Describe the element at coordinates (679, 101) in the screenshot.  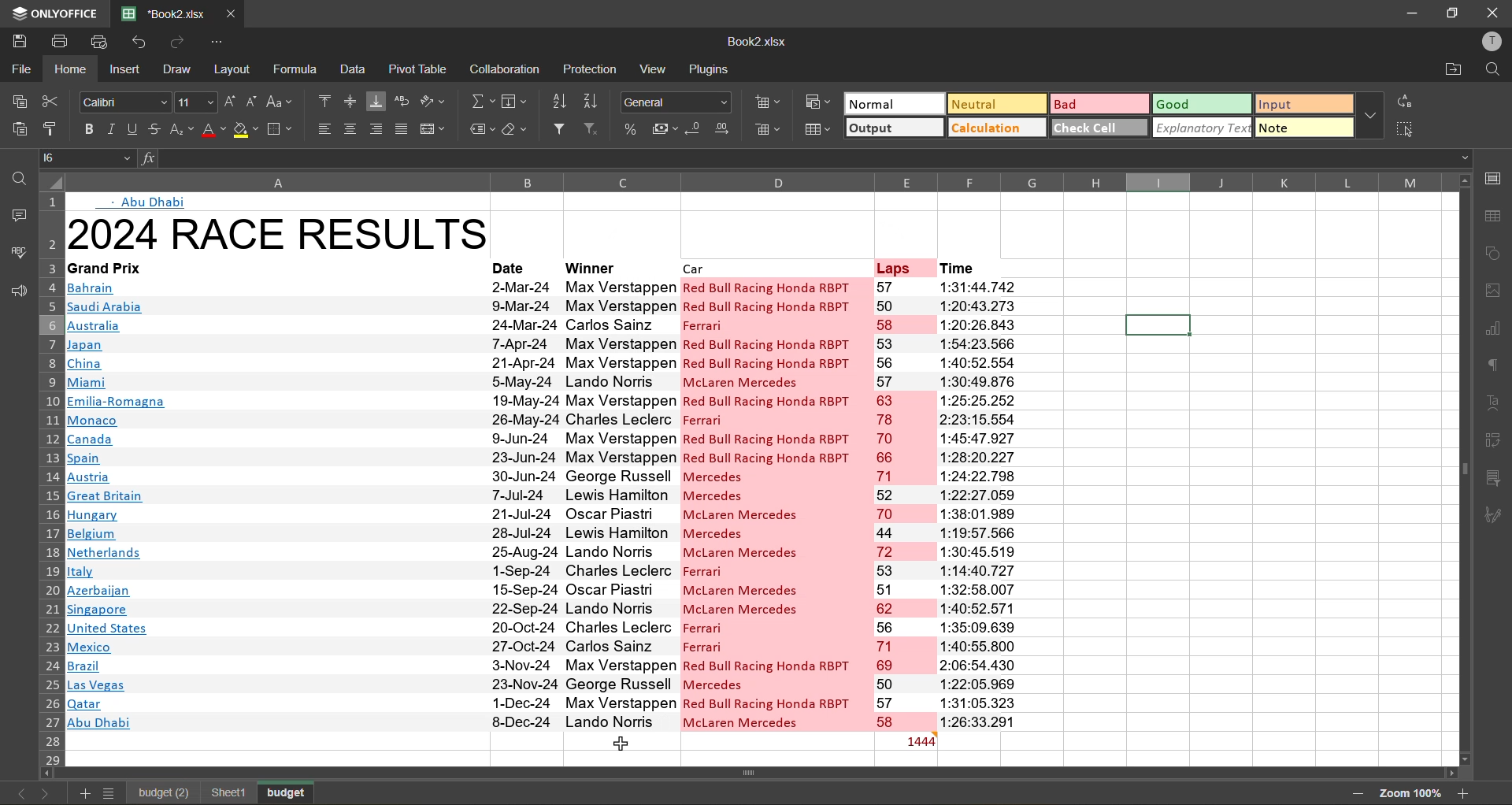
I see `number format` at that location.